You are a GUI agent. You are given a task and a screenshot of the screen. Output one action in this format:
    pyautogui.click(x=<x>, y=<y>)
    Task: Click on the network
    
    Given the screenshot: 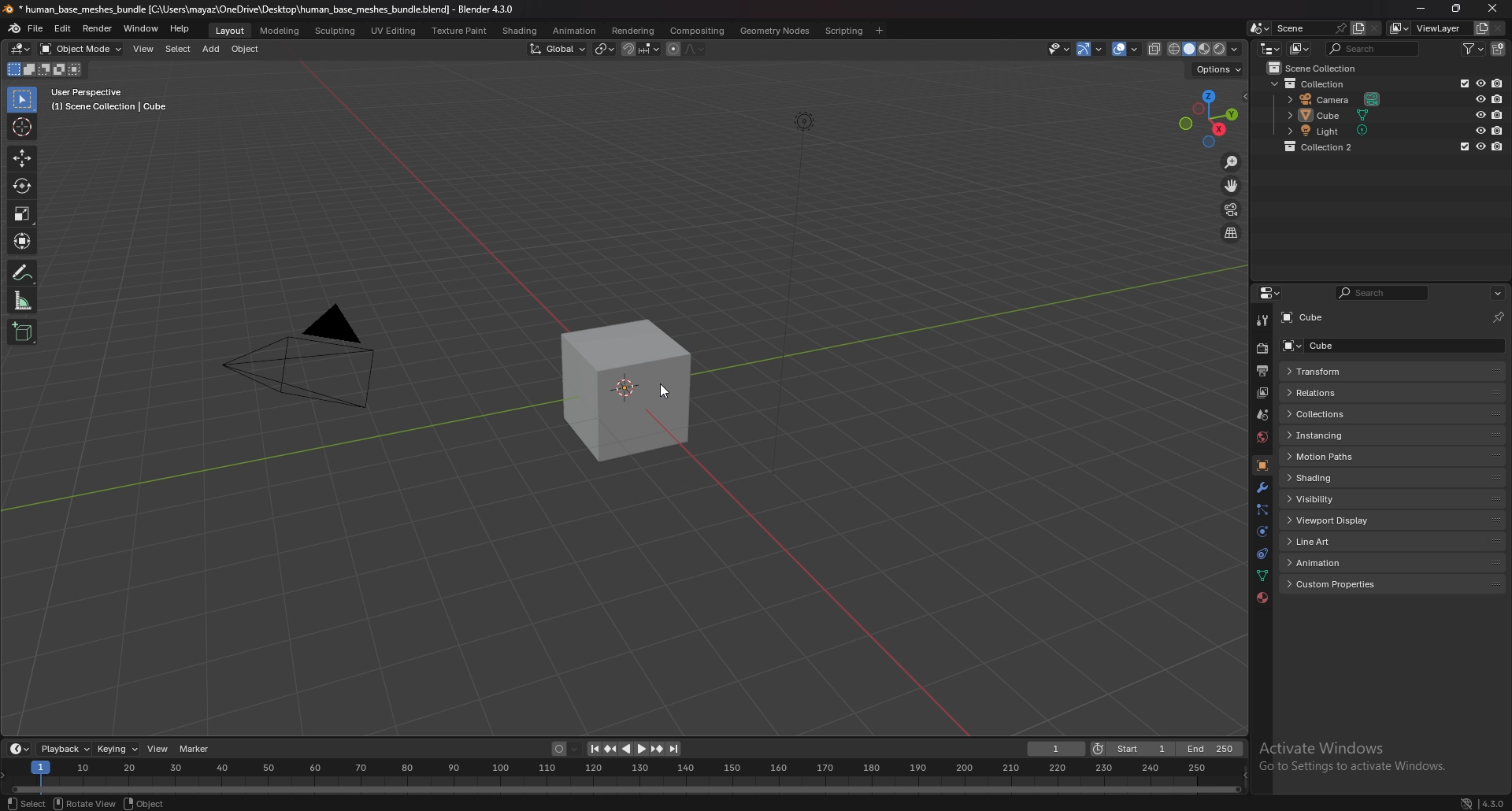 What is the action you would take?
    pyautogui.click(x=1469, y=802)
    